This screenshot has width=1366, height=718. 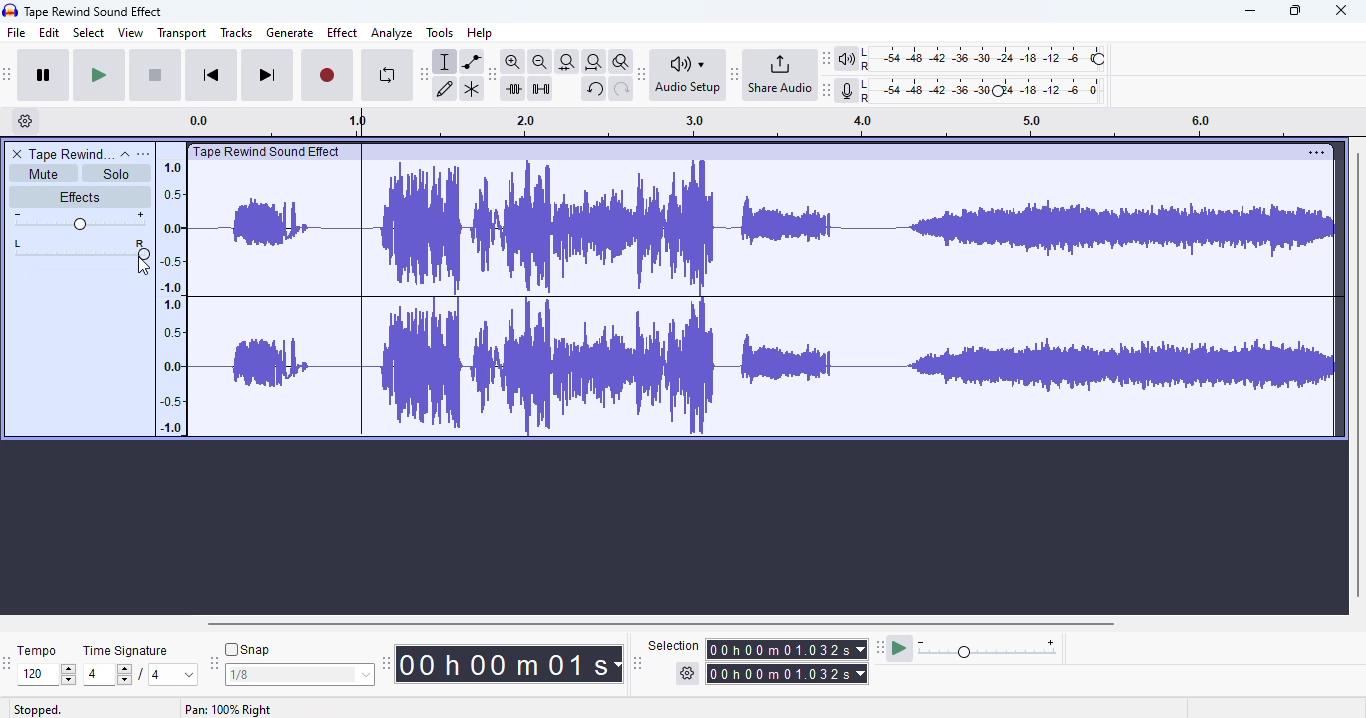 What do you see at coordinates (1294, 11) in the screenshot?
I see `maximize` at bounding box center [1294, 11].